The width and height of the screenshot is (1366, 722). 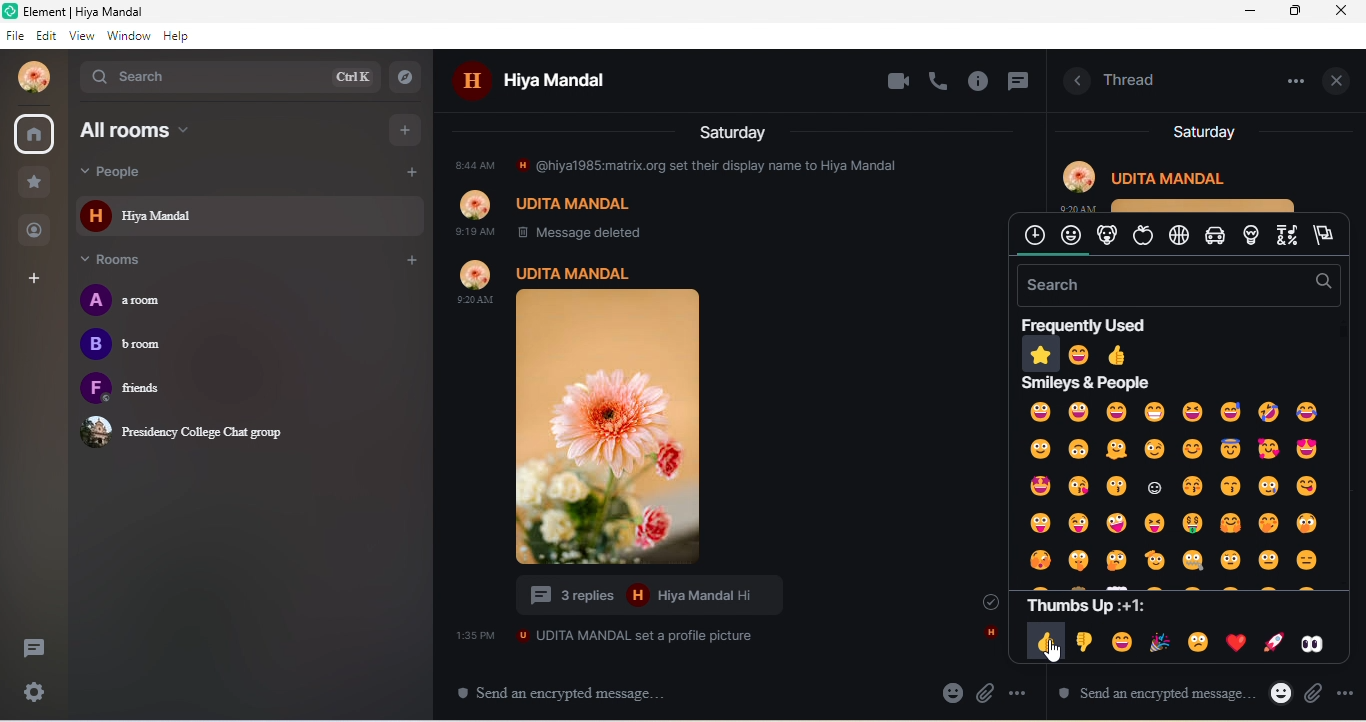 I want to click on profile photo, so click(x=1185, y=182).